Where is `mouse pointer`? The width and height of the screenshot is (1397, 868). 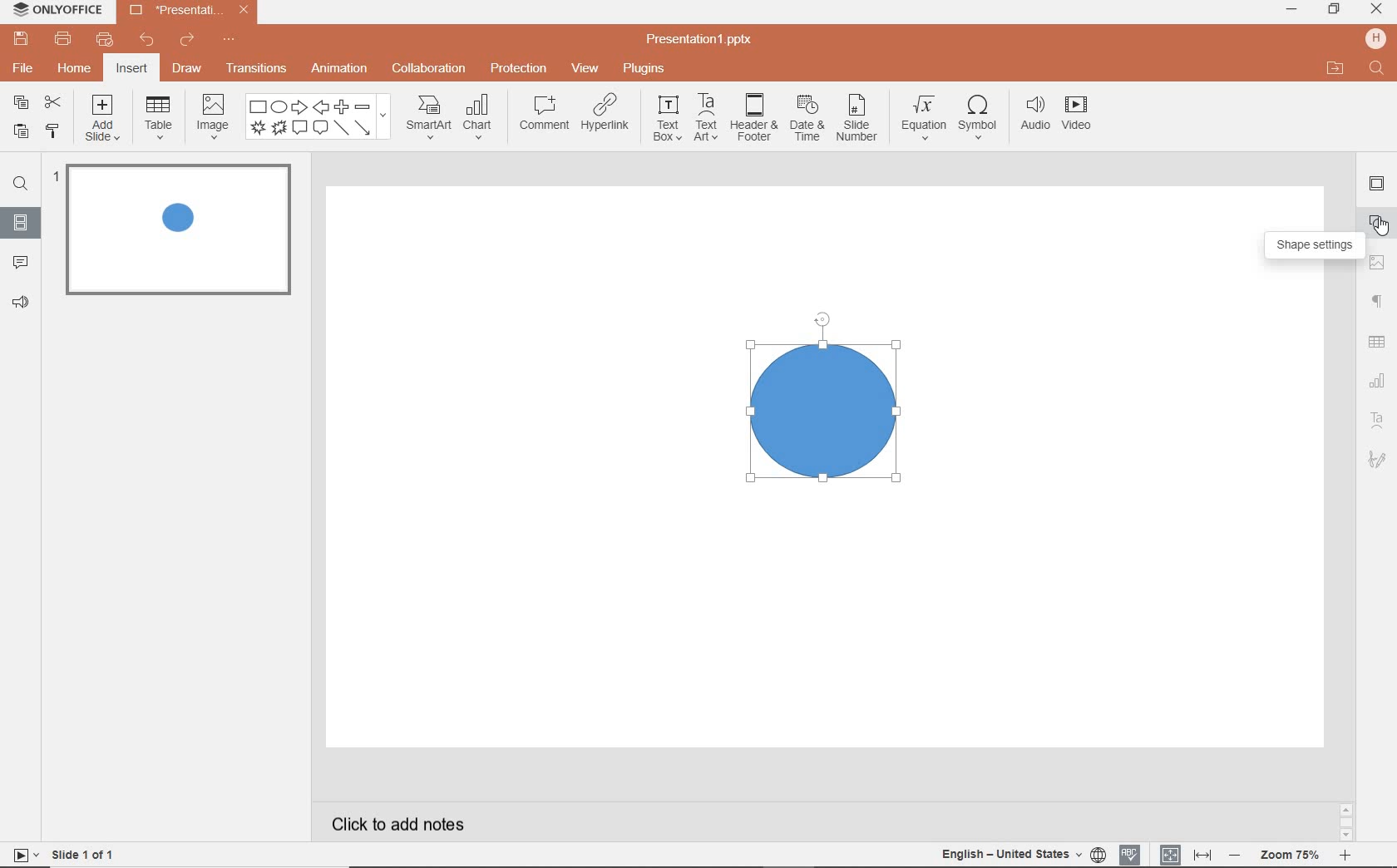 mouse pointer is located at coordinates (1384, 229).